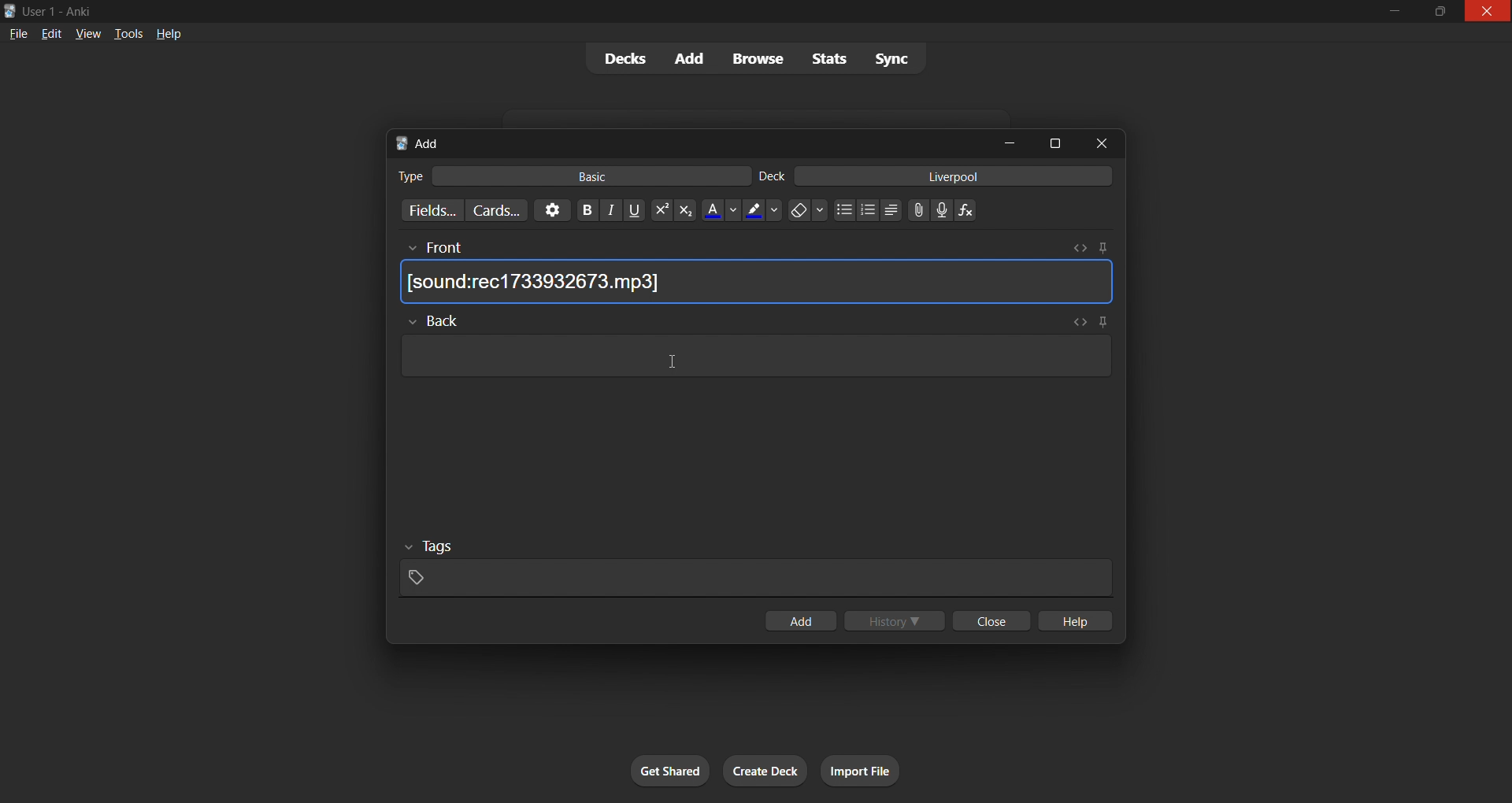 The height and width of the screenshot is (803, 1512). What do you see at coordinates (756, 353) in the screenshot?
I see `card back input` at bounding box center [756, 353].